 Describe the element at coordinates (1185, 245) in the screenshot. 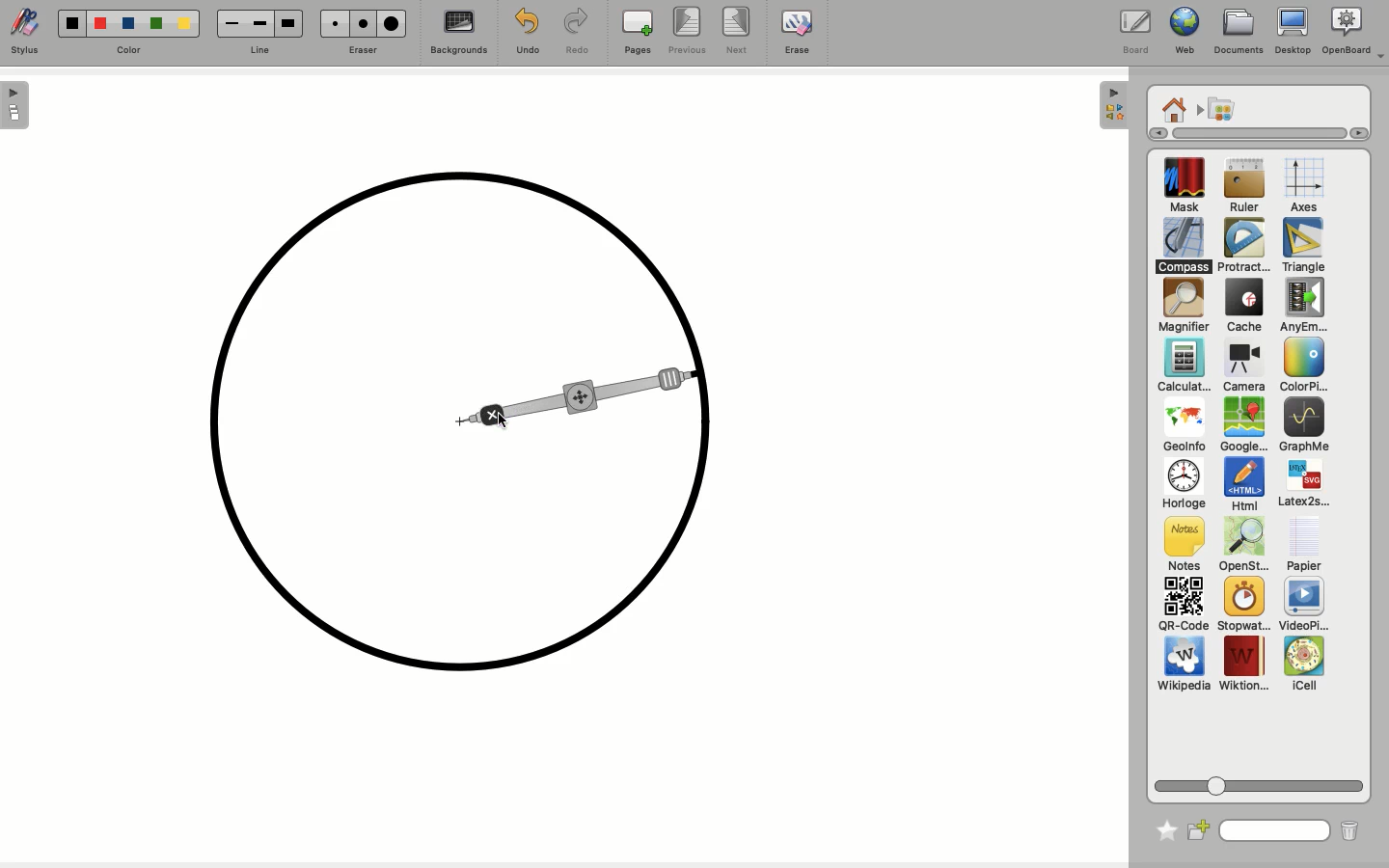

I see `Compass` at that location.